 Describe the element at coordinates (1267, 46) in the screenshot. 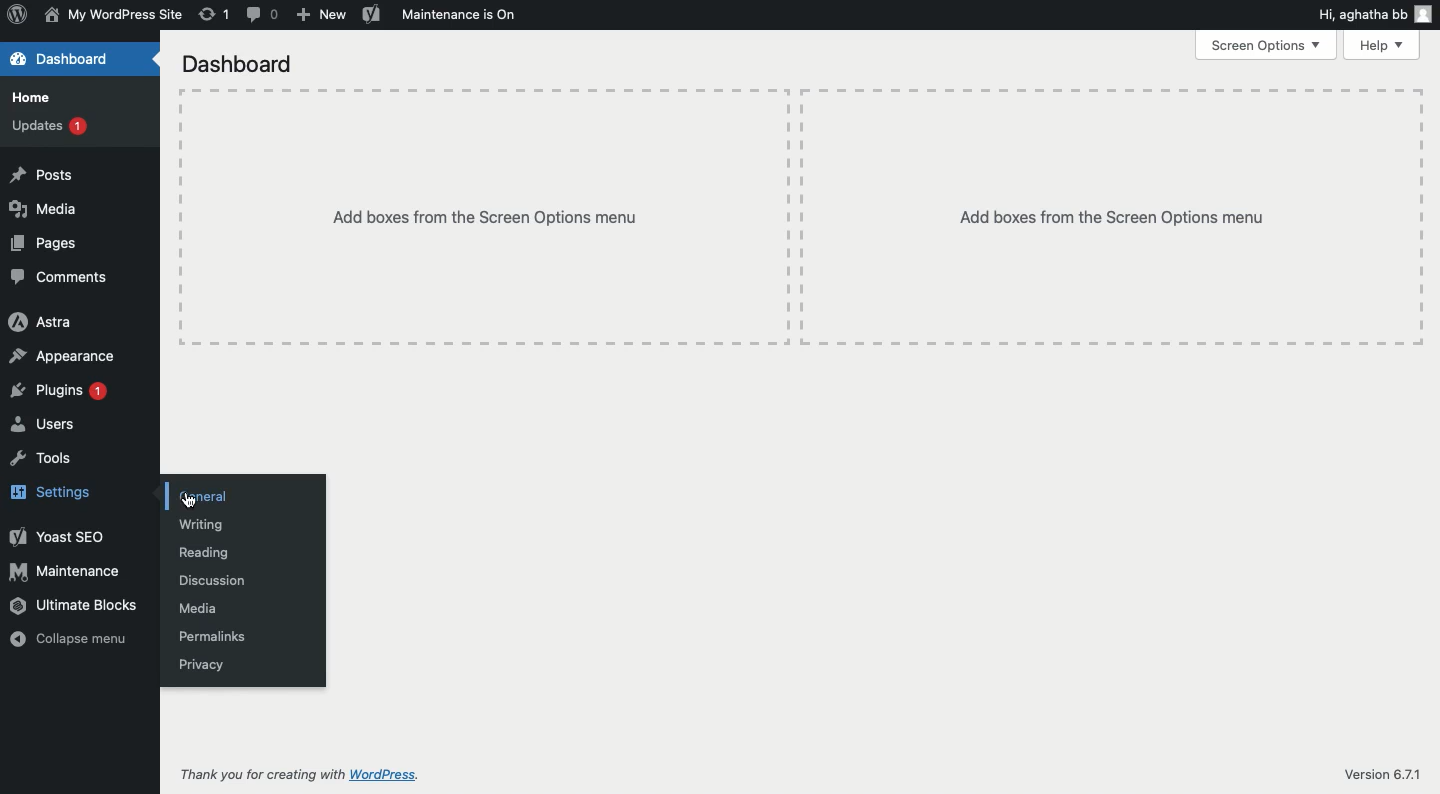

I see `Screen options` at that location.